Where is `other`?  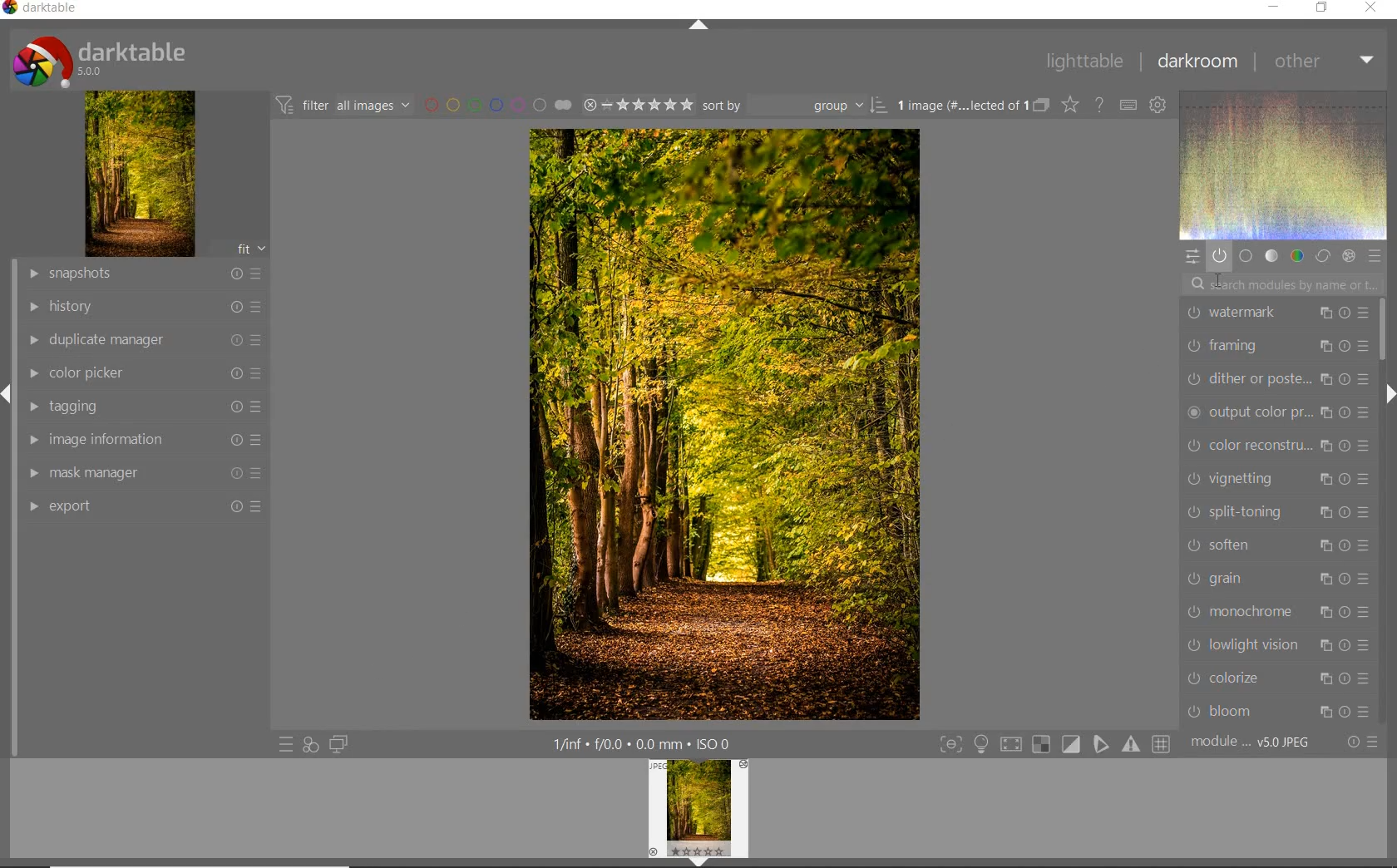
other is located at coordinates (1325, 62).